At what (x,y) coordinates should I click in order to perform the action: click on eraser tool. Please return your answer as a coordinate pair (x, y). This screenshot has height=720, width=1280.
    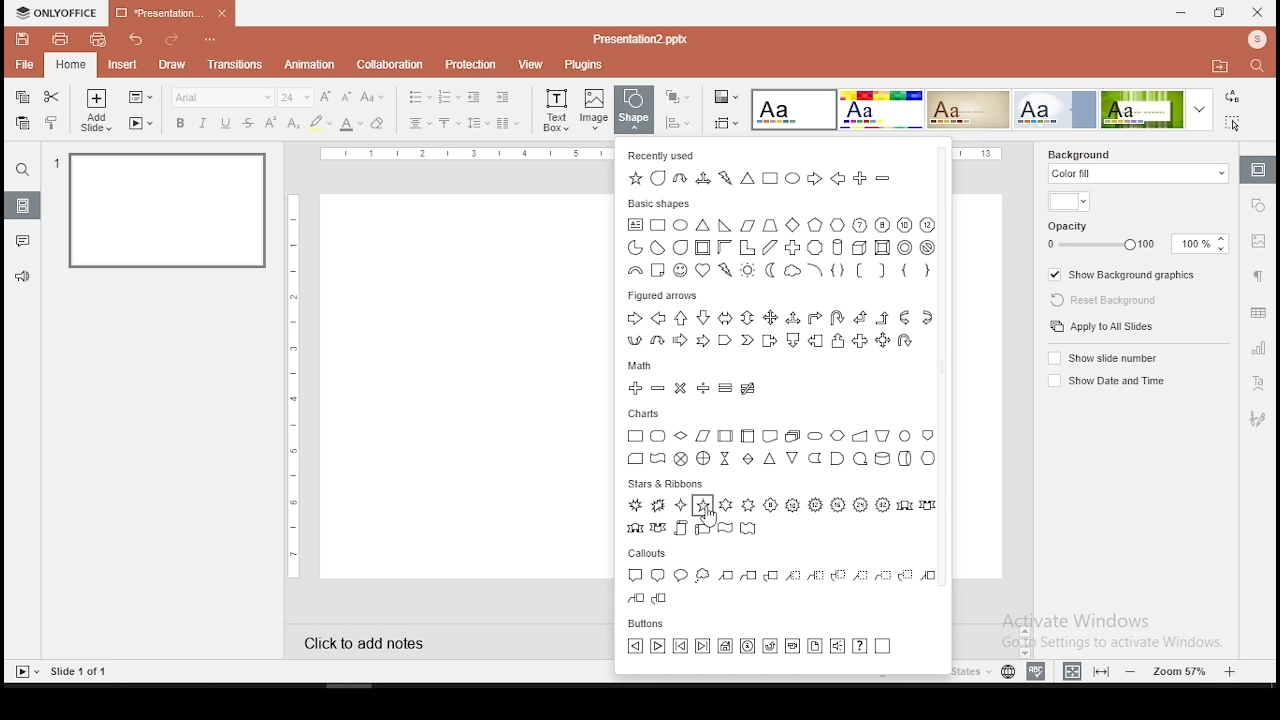
    Looking at the image, I should click on (377, 124).